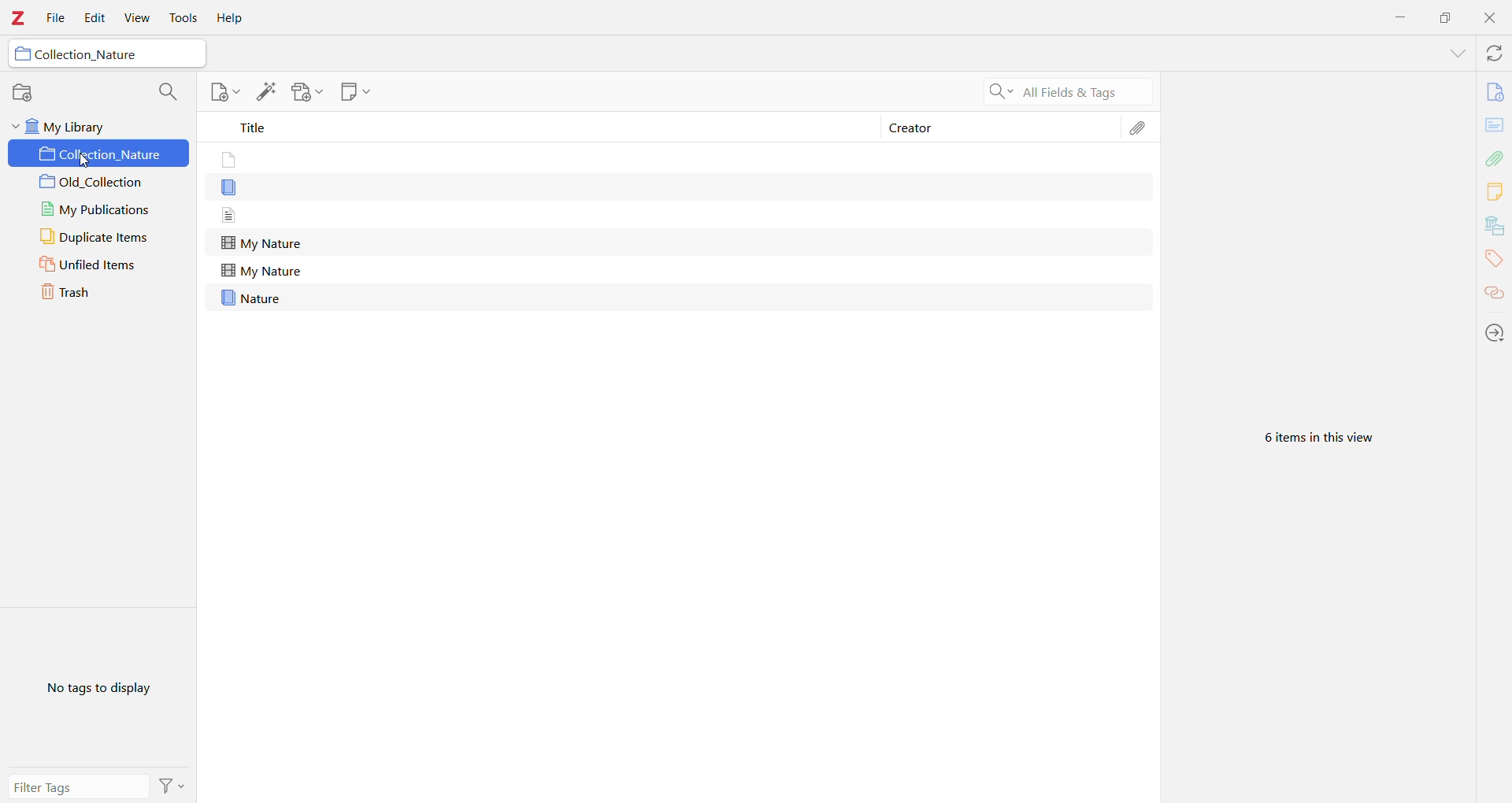  I want to click on Unfiled Items, so click(100, 265).